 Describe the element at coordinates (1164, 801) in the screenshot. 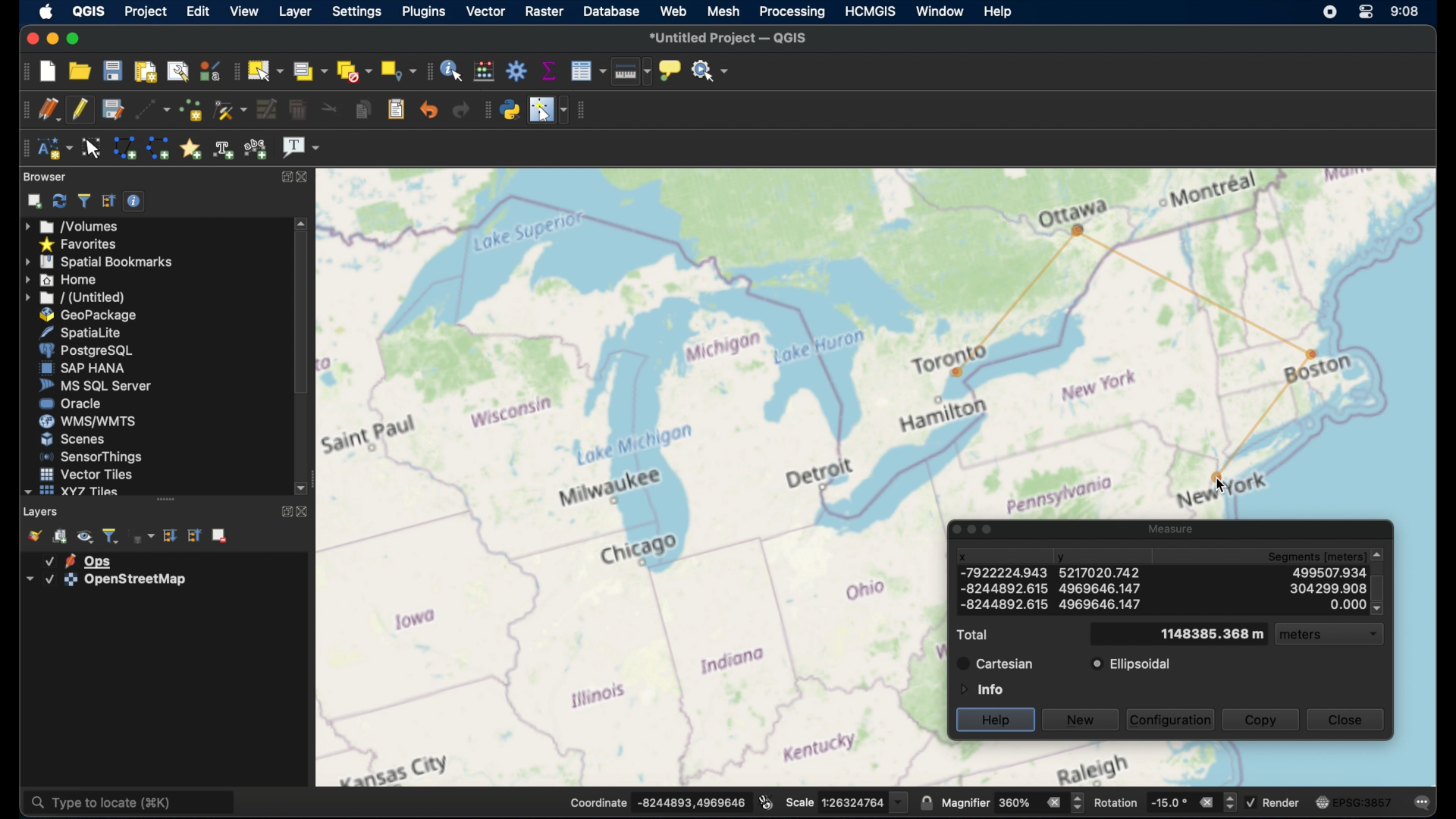

I see `rotation` at that location.